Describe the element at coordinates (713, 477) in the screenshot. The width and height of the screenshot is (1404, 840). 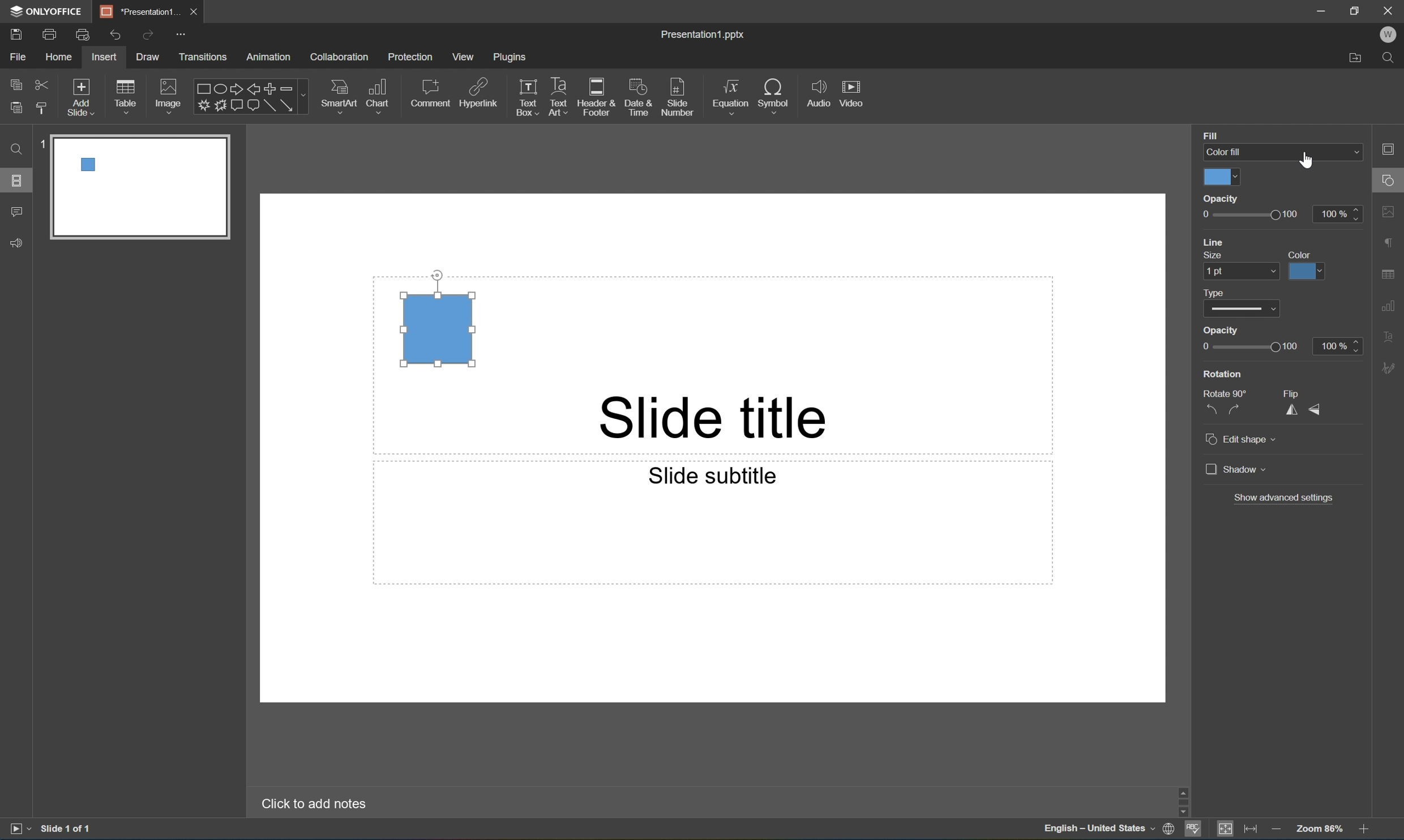
I see `Slide subtitle` at that location.